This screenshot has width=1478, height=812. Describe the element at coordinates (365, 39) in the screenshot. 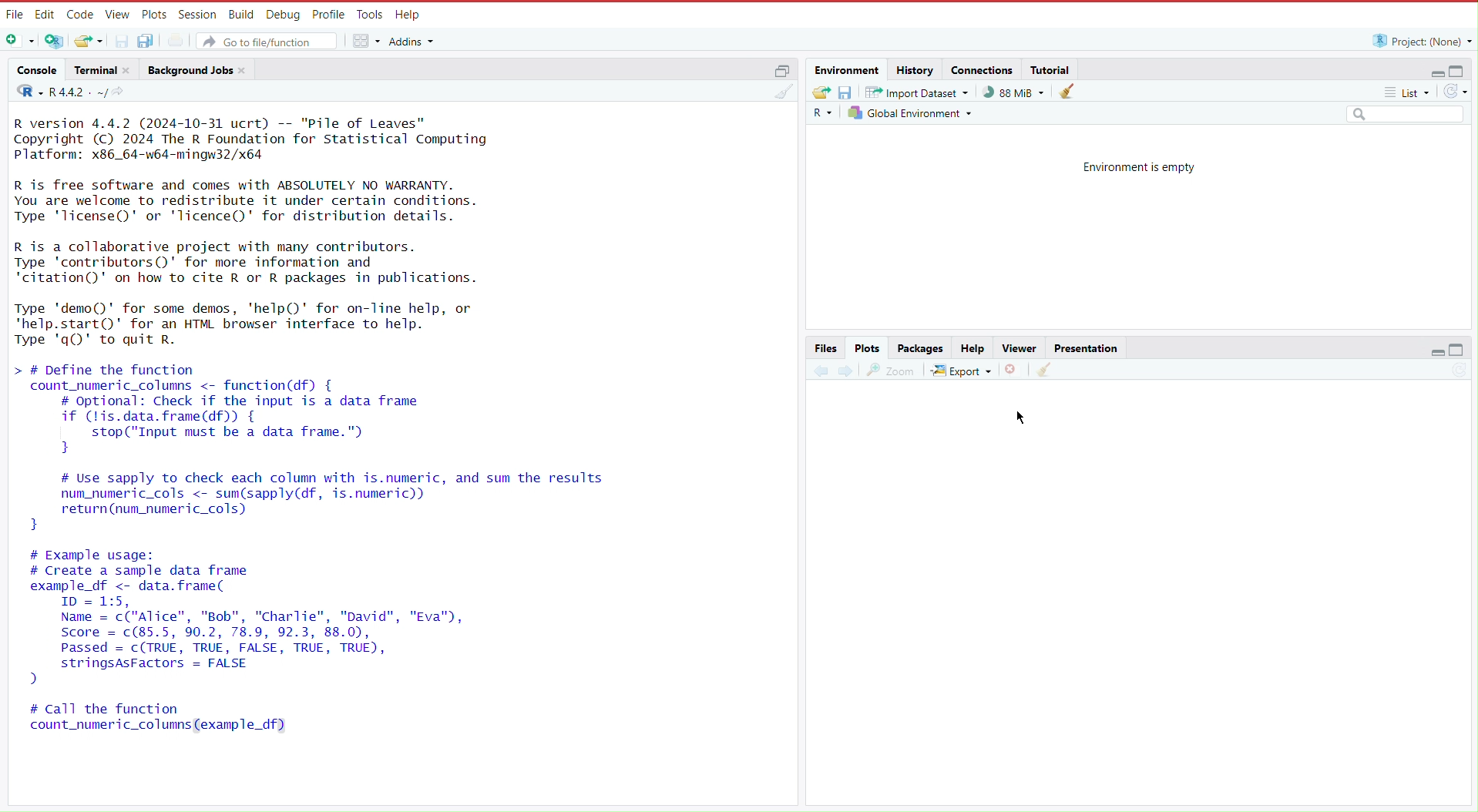

I see `Workspace panes` at that location.